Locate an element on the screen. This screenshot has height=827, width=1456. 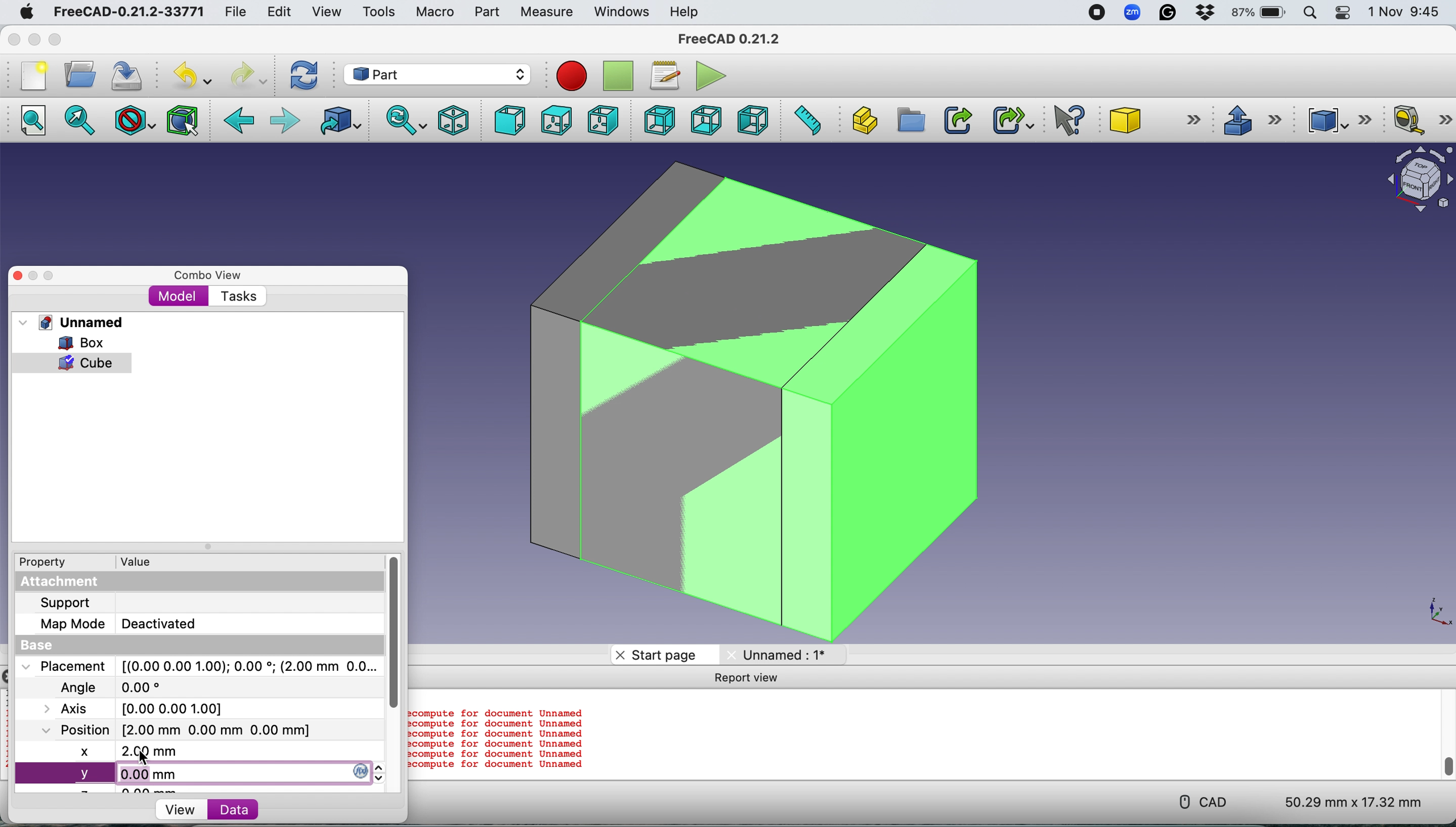
FreeCAD-0.21.2-33771 is located at coordinates (128, 12).